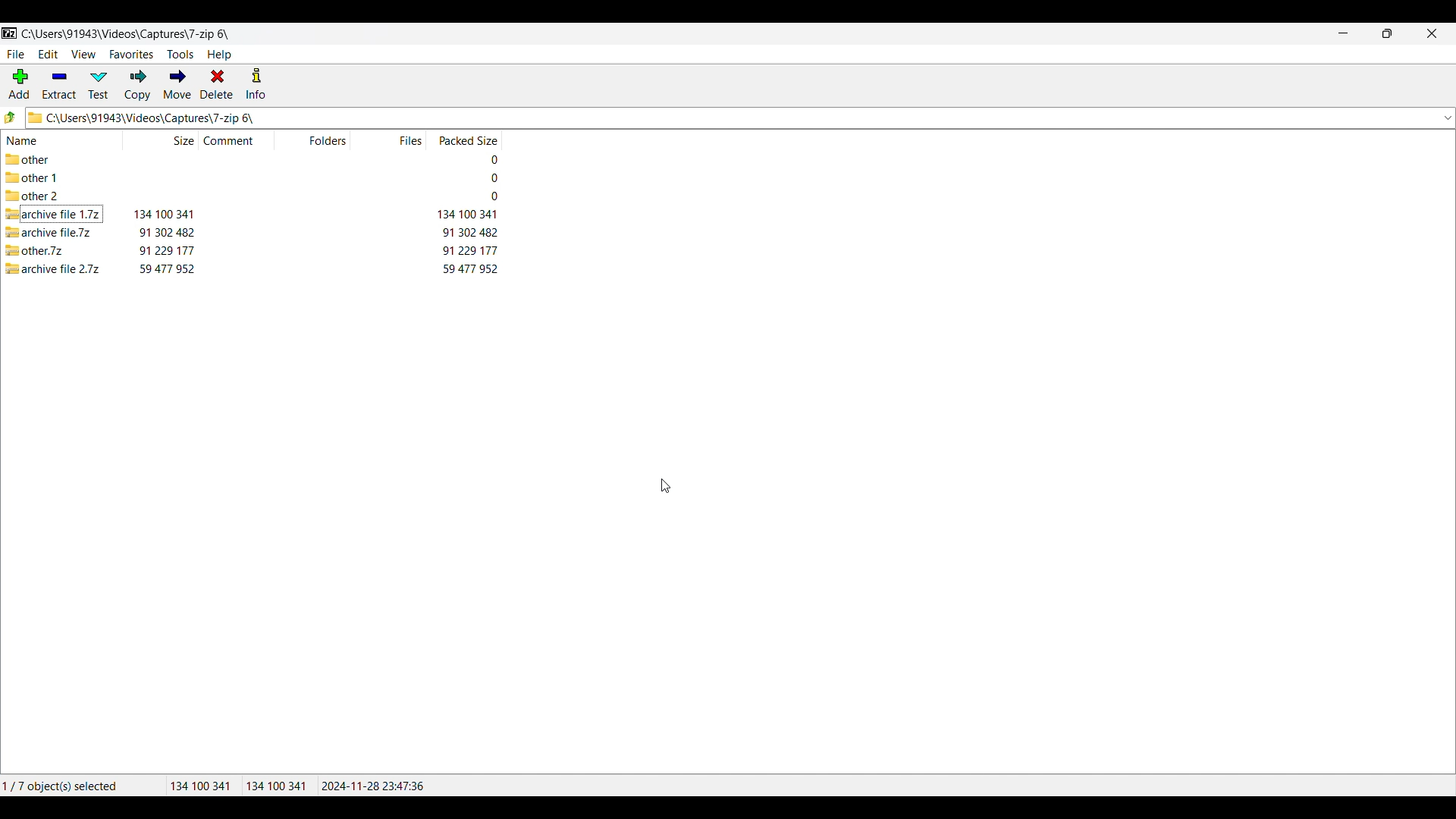 Image resolution: width=1456 pixels, height=819 pixels. Describe the element at coordinates (39, 178) in the screenshot. I see `other 1 ` at that location.